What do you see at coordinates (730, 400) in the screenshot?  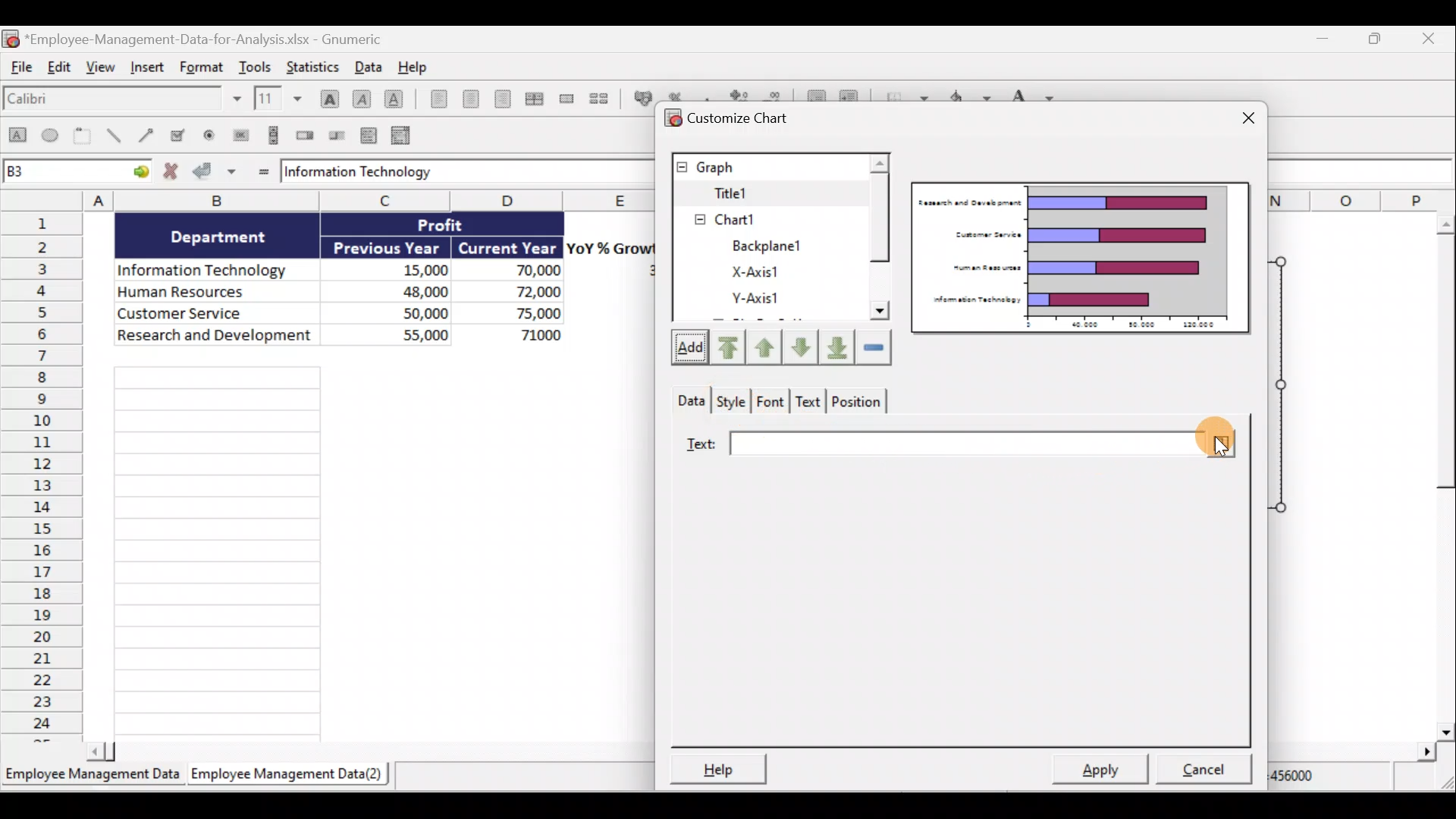 I see `Style` at bounding box center [730, 400].